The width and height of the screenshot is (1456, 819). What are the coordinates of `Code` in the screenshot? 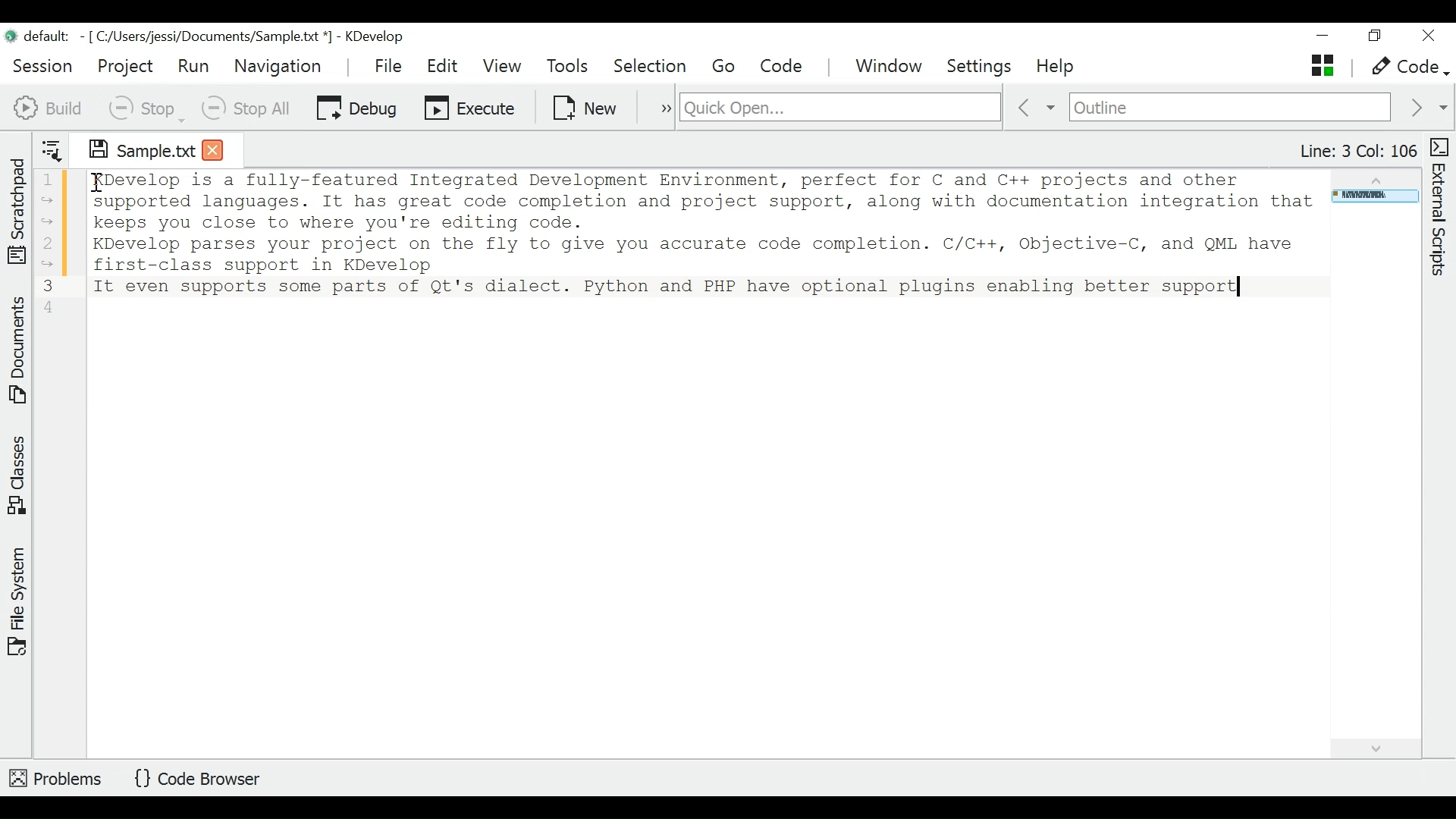 It's located at (783, 66).